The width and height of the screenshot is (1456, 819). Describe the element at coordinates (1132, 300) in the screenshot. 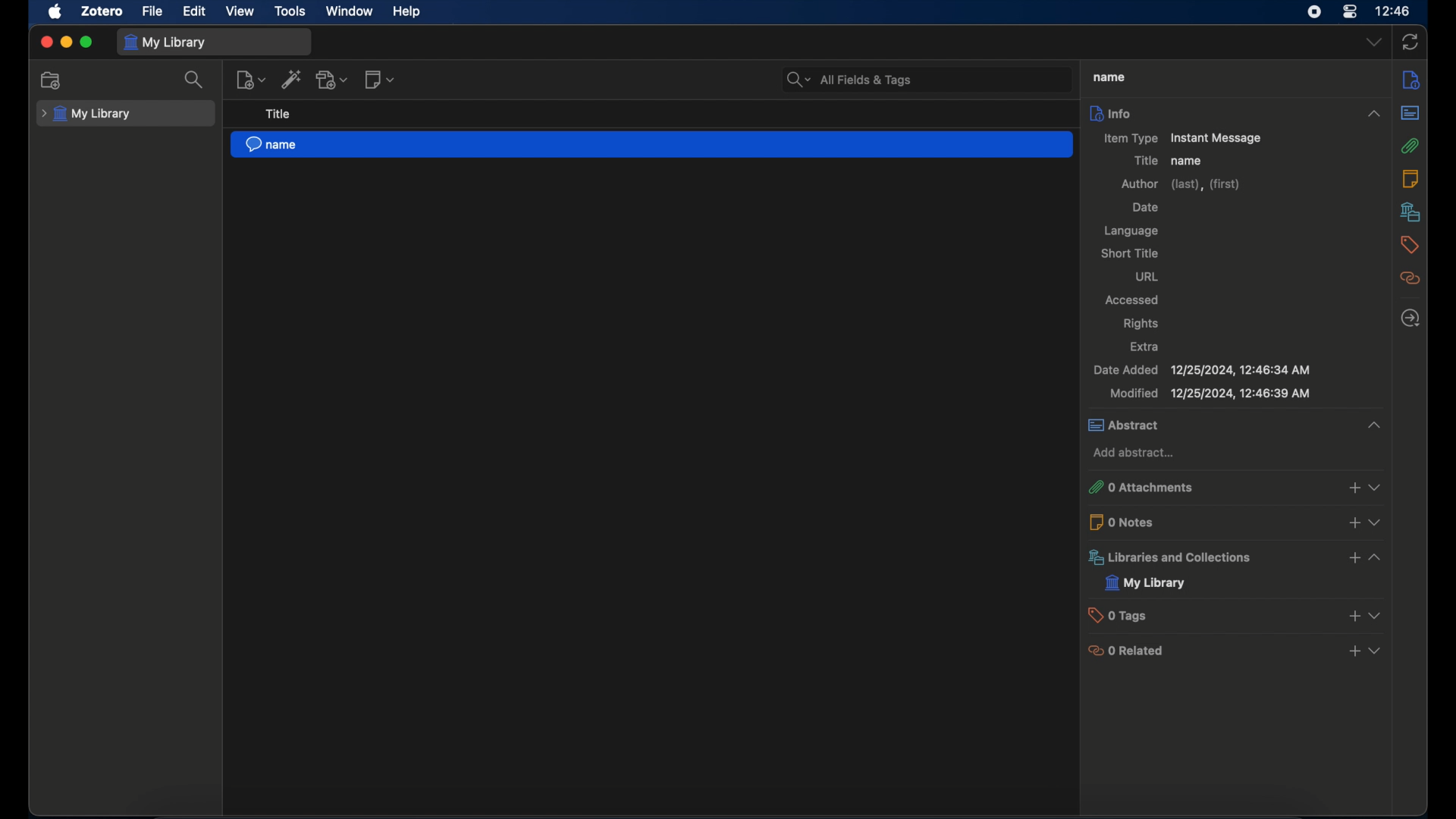

I see `accessed` at that location.